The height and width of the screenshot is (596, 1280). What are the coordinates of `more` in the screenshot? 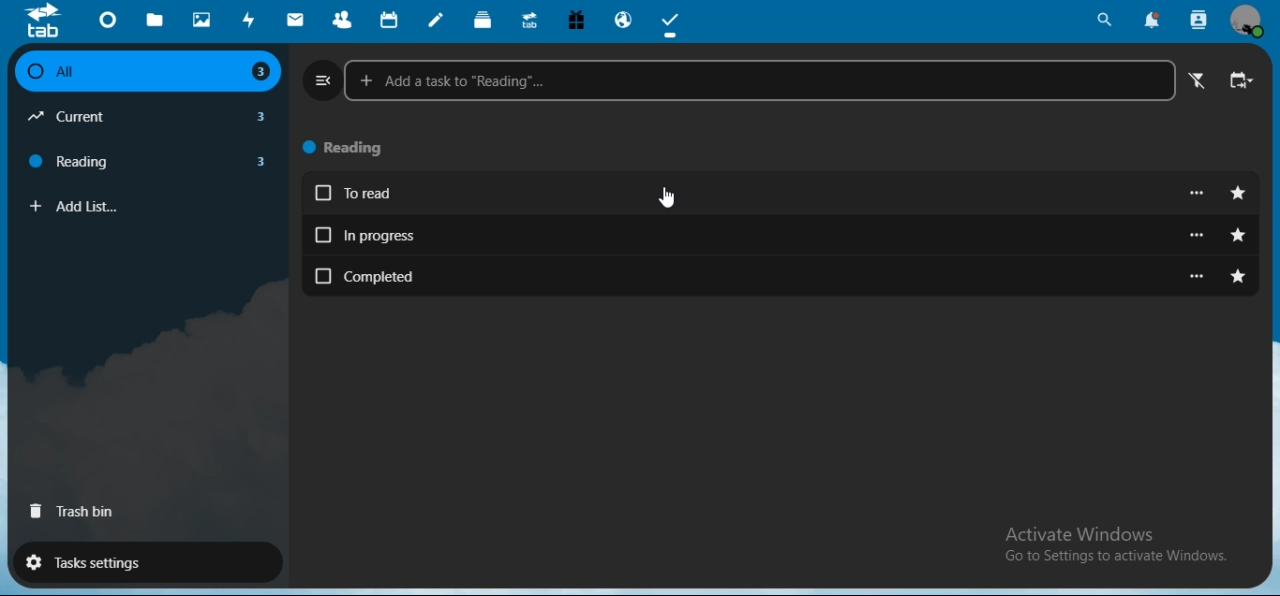 It's located at (1198, 193).